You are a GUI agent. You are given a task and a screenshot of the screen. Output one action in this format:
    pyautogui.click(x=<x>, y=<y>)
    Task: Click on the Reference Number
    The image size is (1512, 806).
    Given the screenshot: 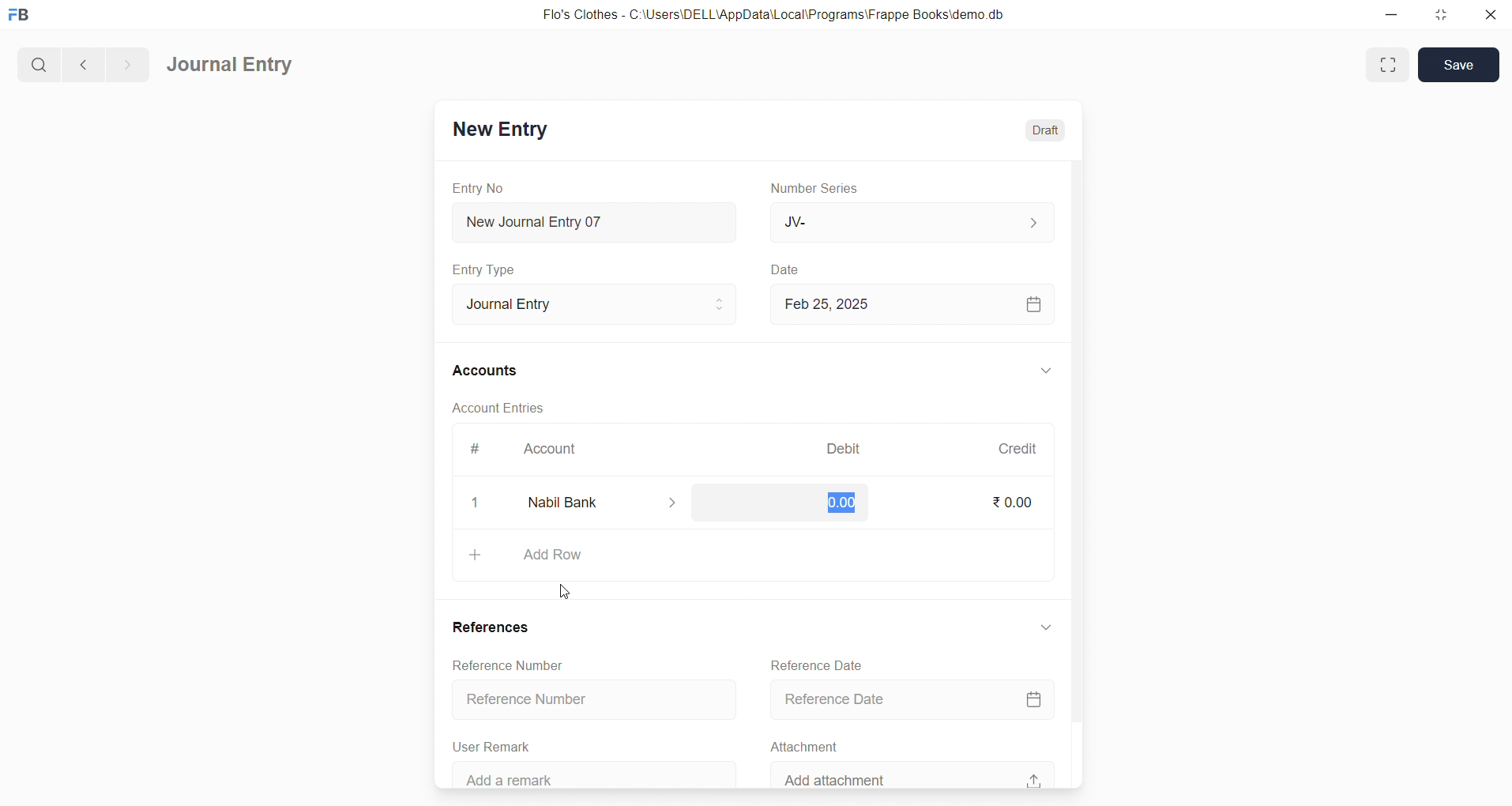 What is the action you would take?
    pyautogui.click(x=516, y=666)
    